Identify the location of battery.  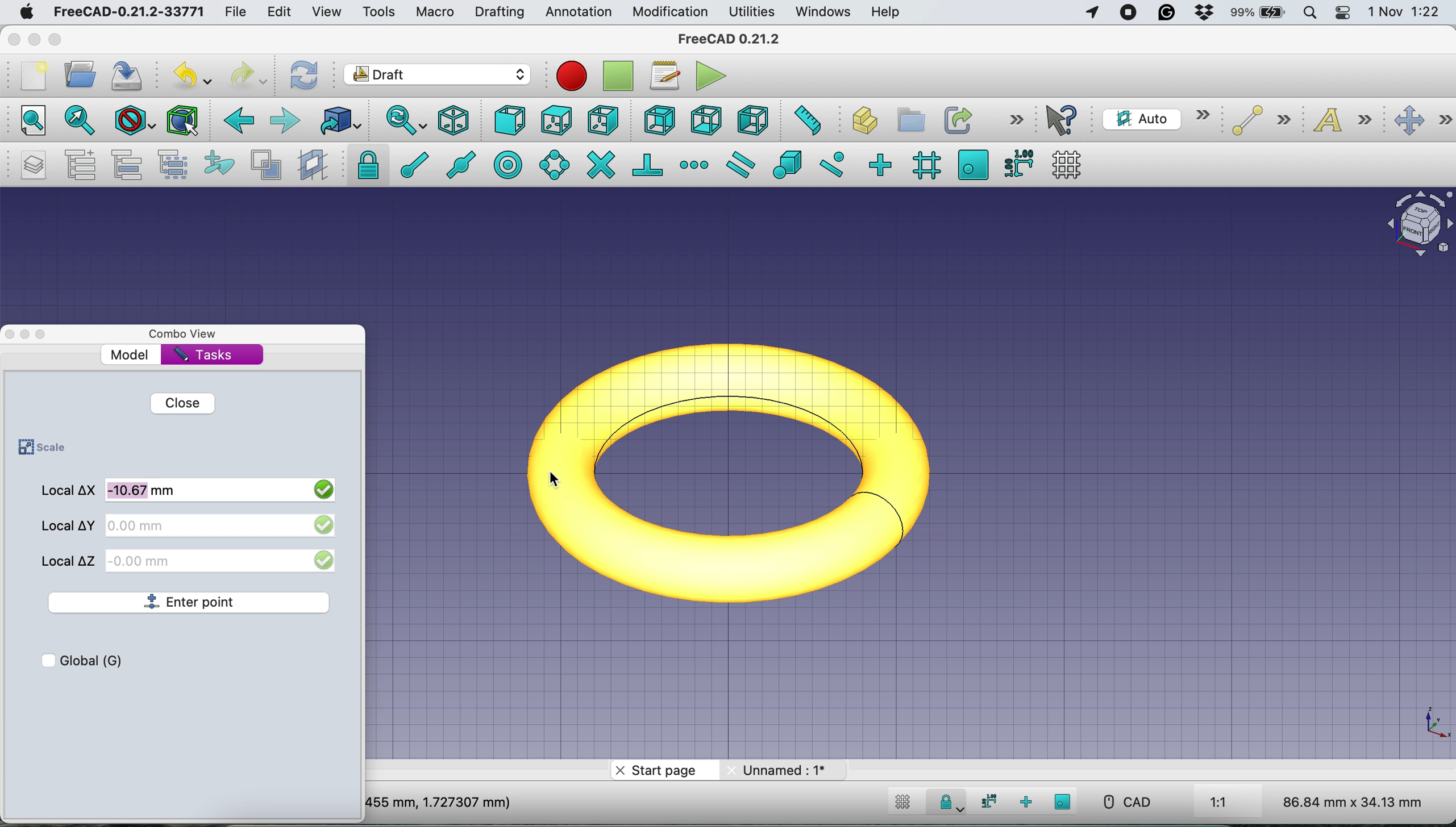
(1259, 14).